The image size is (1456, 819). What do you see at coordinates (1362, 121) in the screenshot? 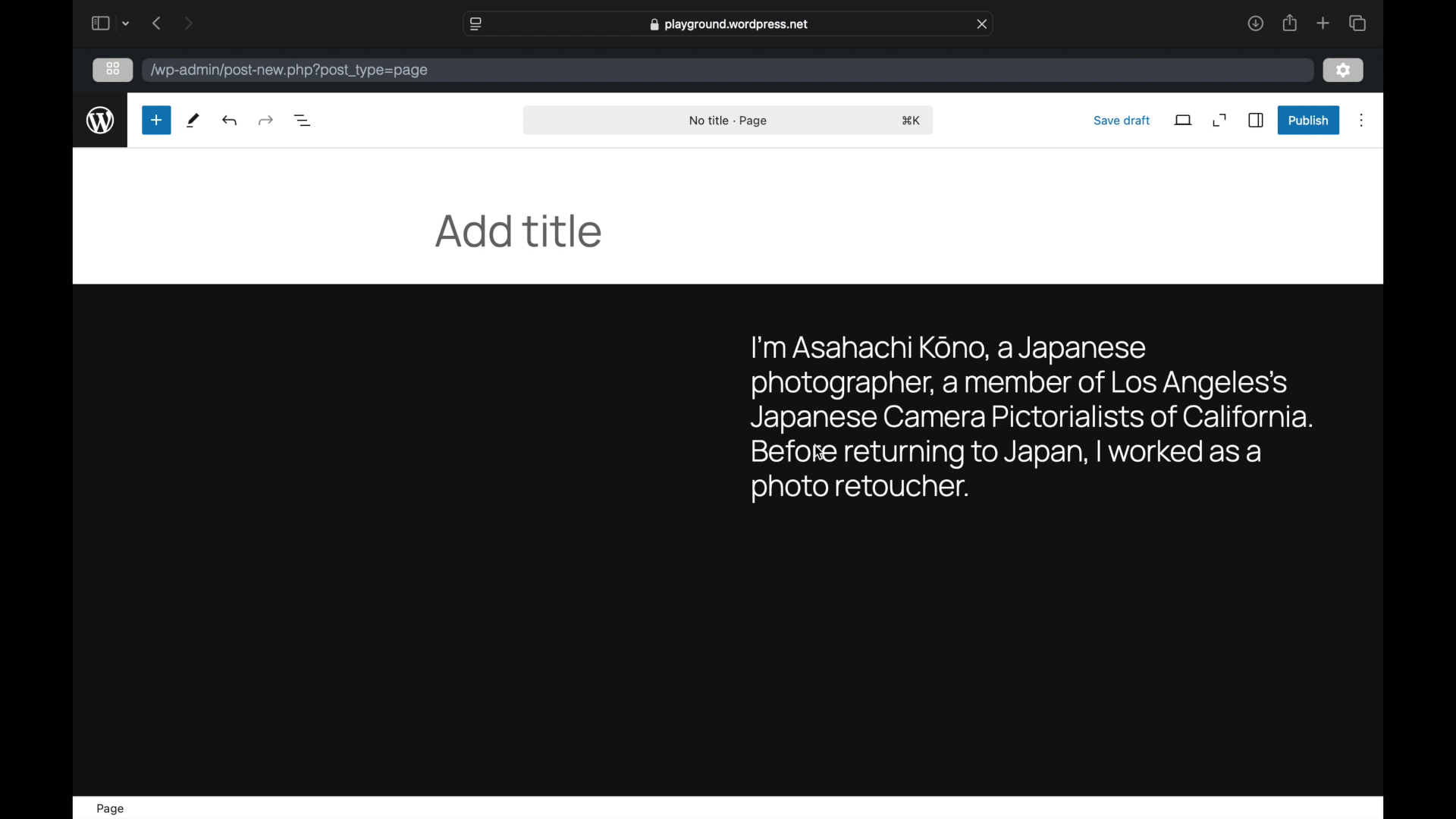
I see `more options` at bounding box center [1362, 121].